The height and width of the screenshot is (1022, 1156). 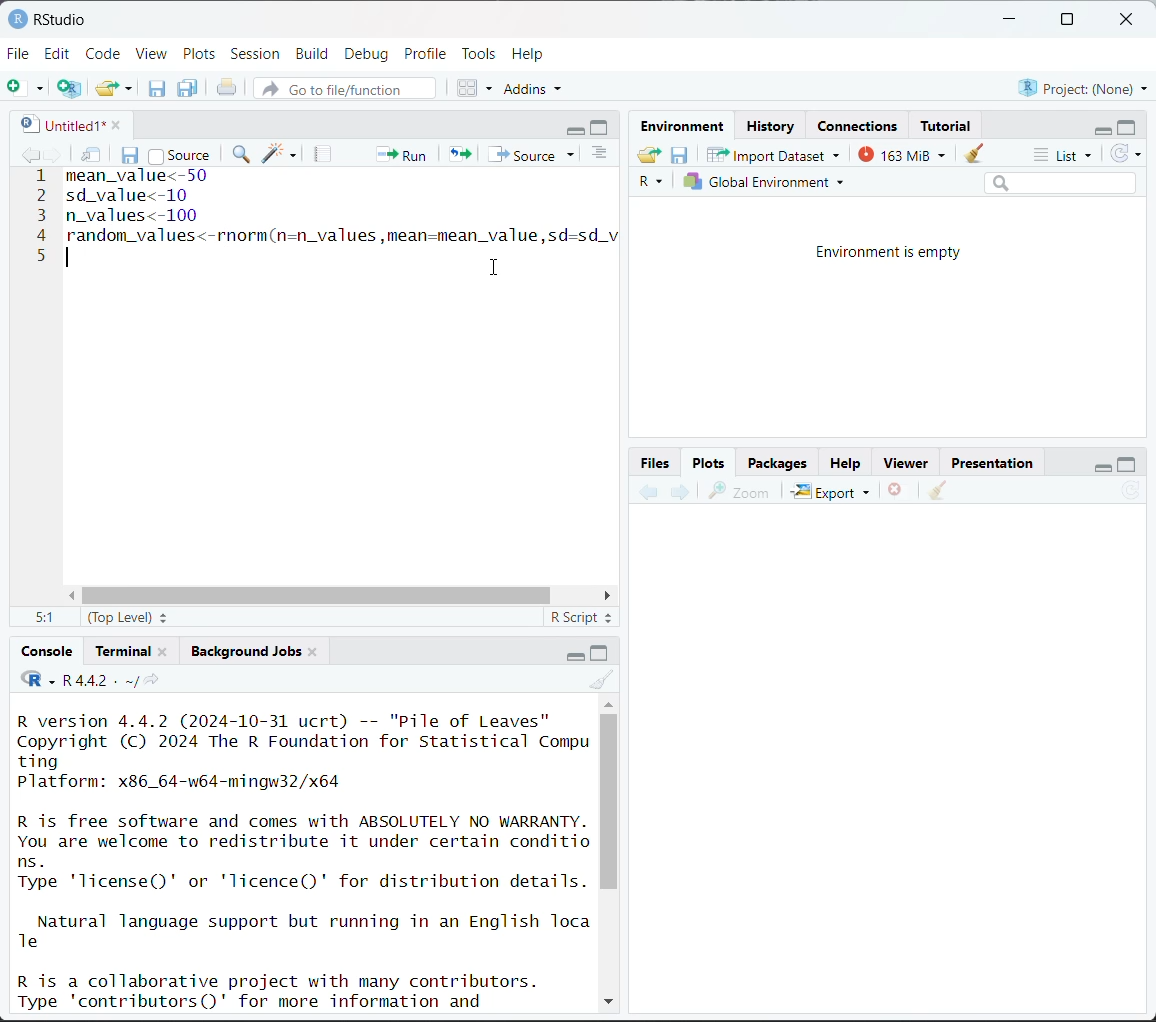 I want to click on clear console, so click(x=604, y=680).